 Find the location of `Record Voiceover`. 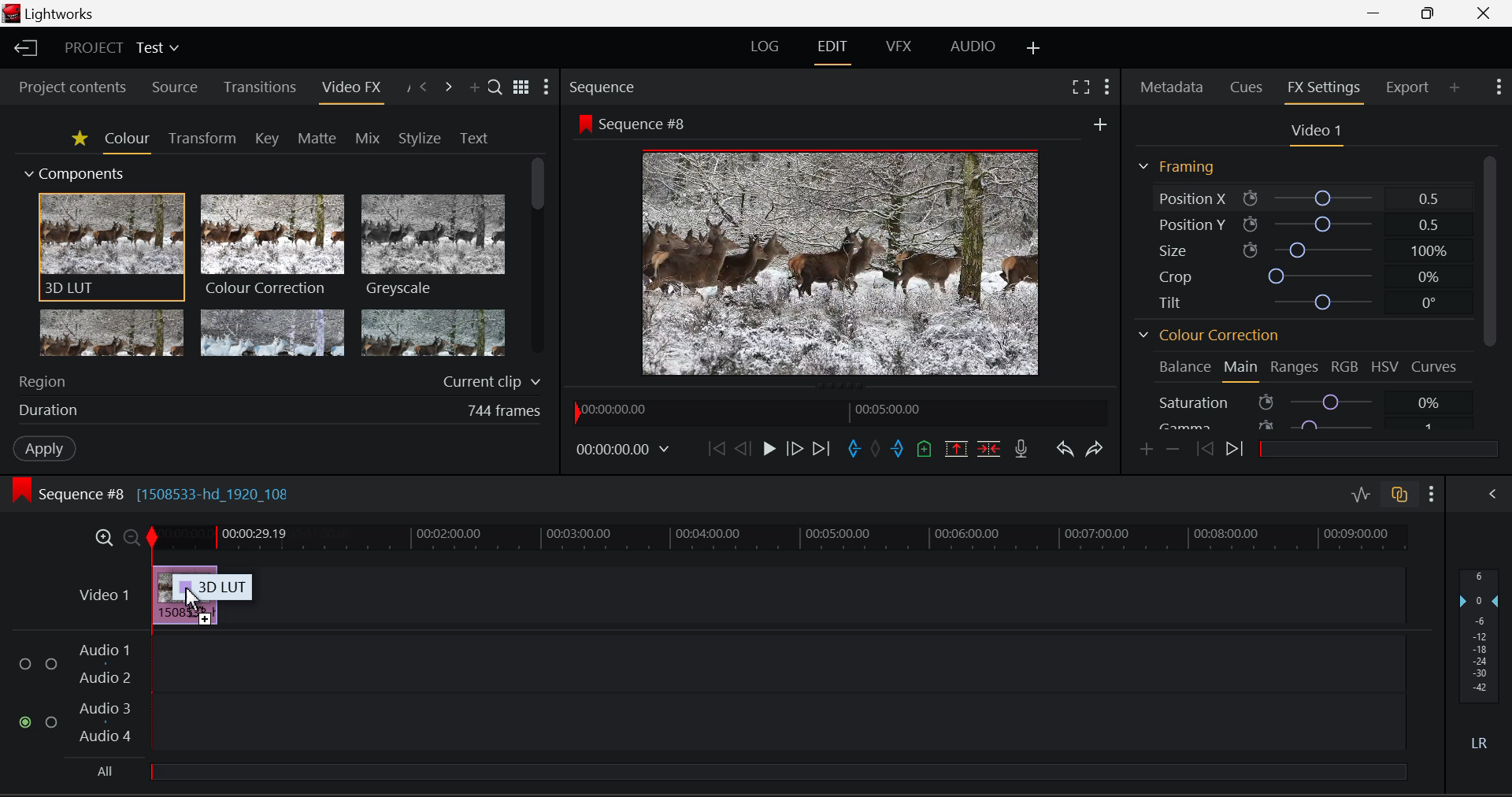

Record Voiceover is located at coordinates (1021, 449).